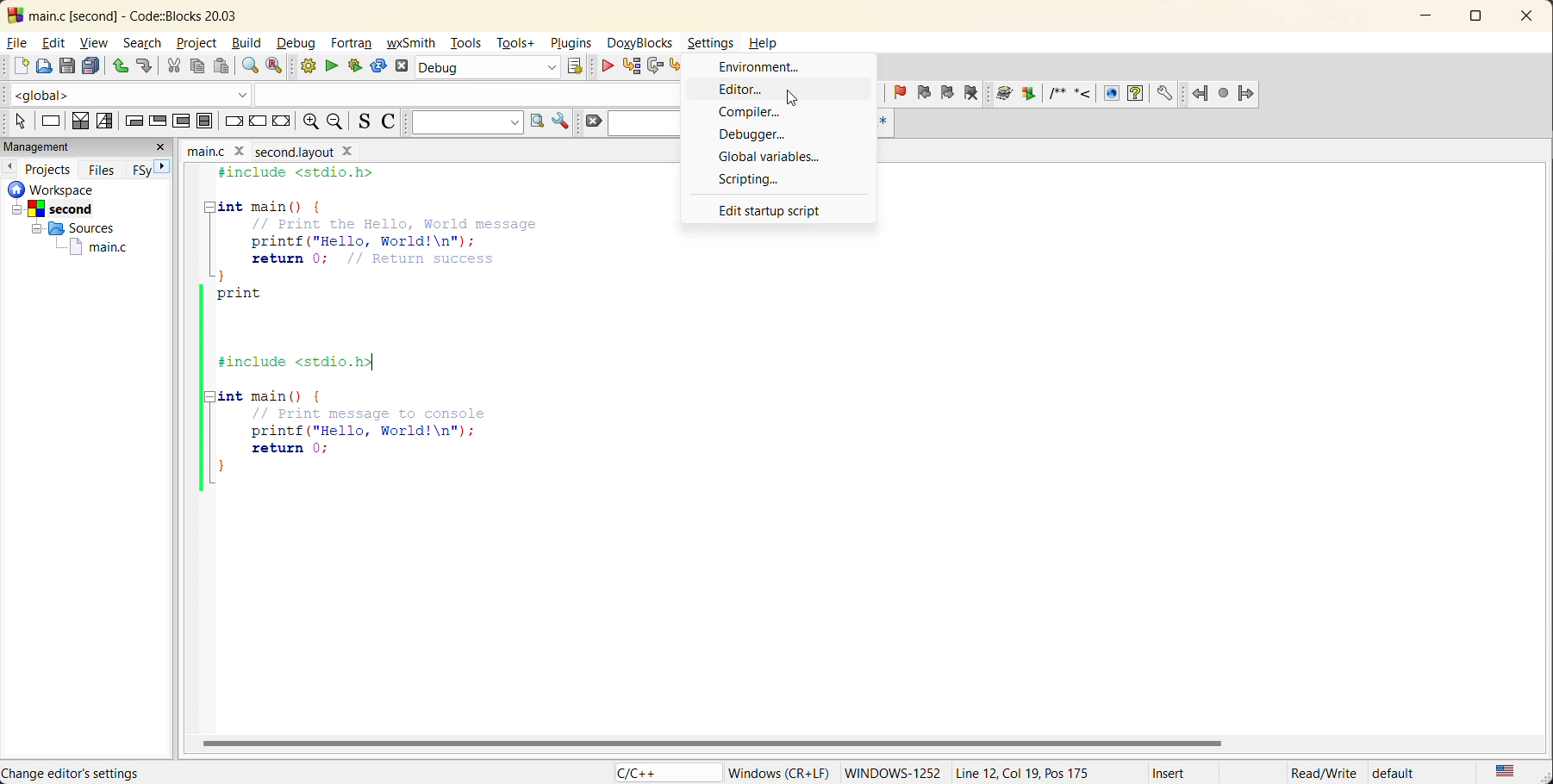 This screenshot has width=1553, height=784. What do you see at coordinates (12, 14) in the screenshot?
I see `Codeblock logo` at bounding box center [12, 14].